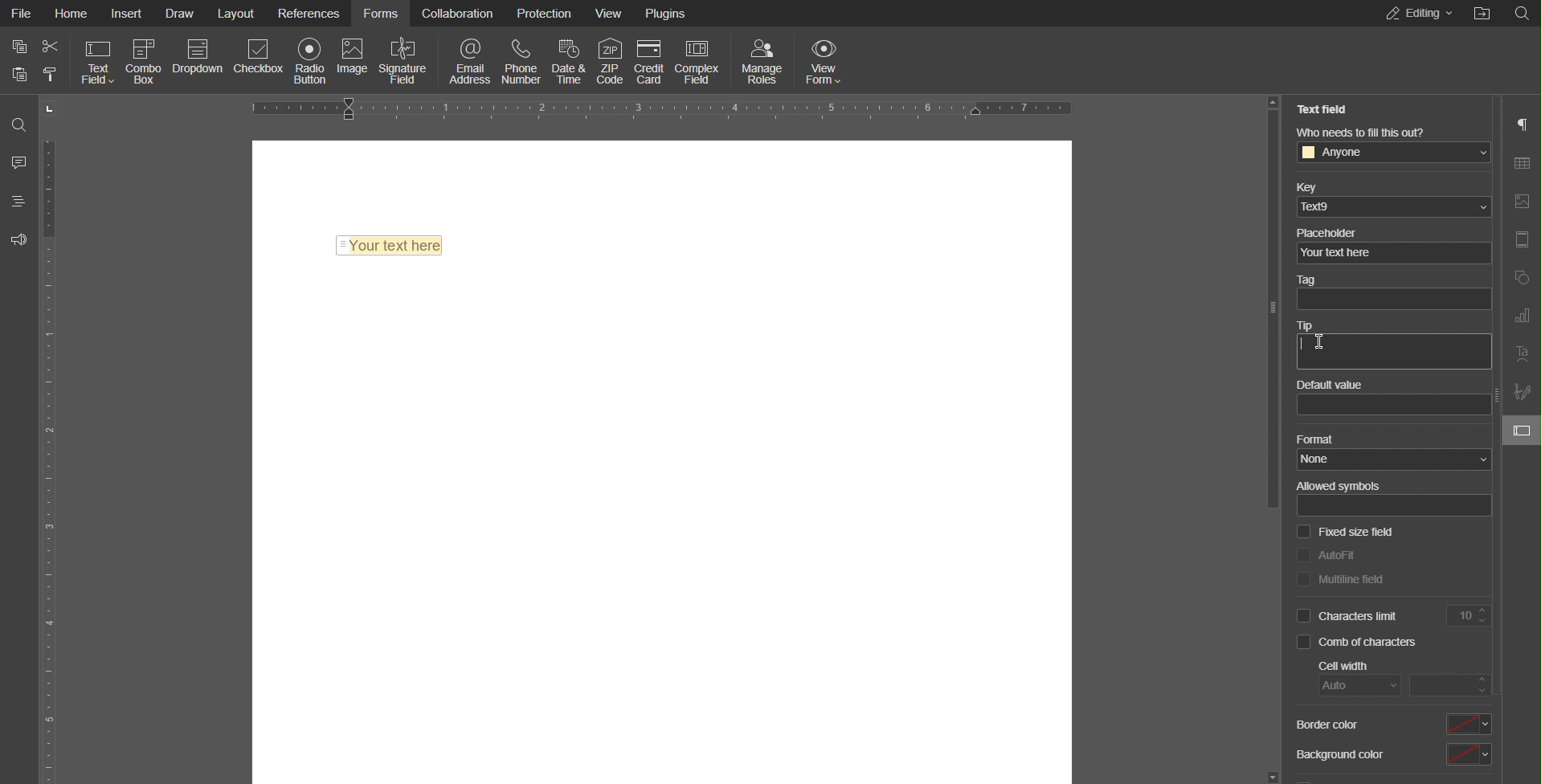 This screenshot has height=784, width=1541. I want to click on , so click(1483, 15).